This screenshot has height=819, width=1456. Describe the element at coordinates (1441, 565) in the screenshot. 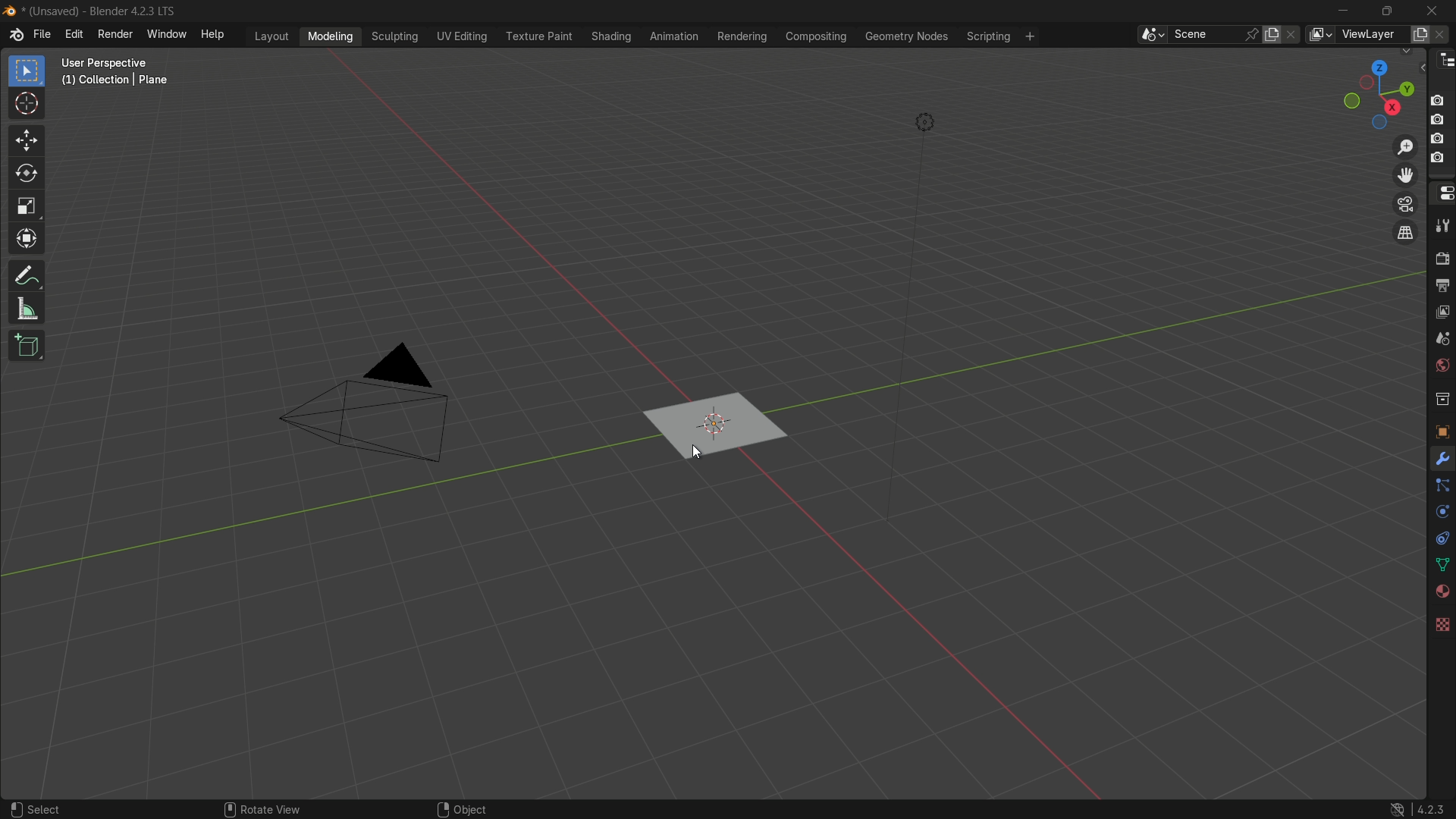

I see `data` at that location.